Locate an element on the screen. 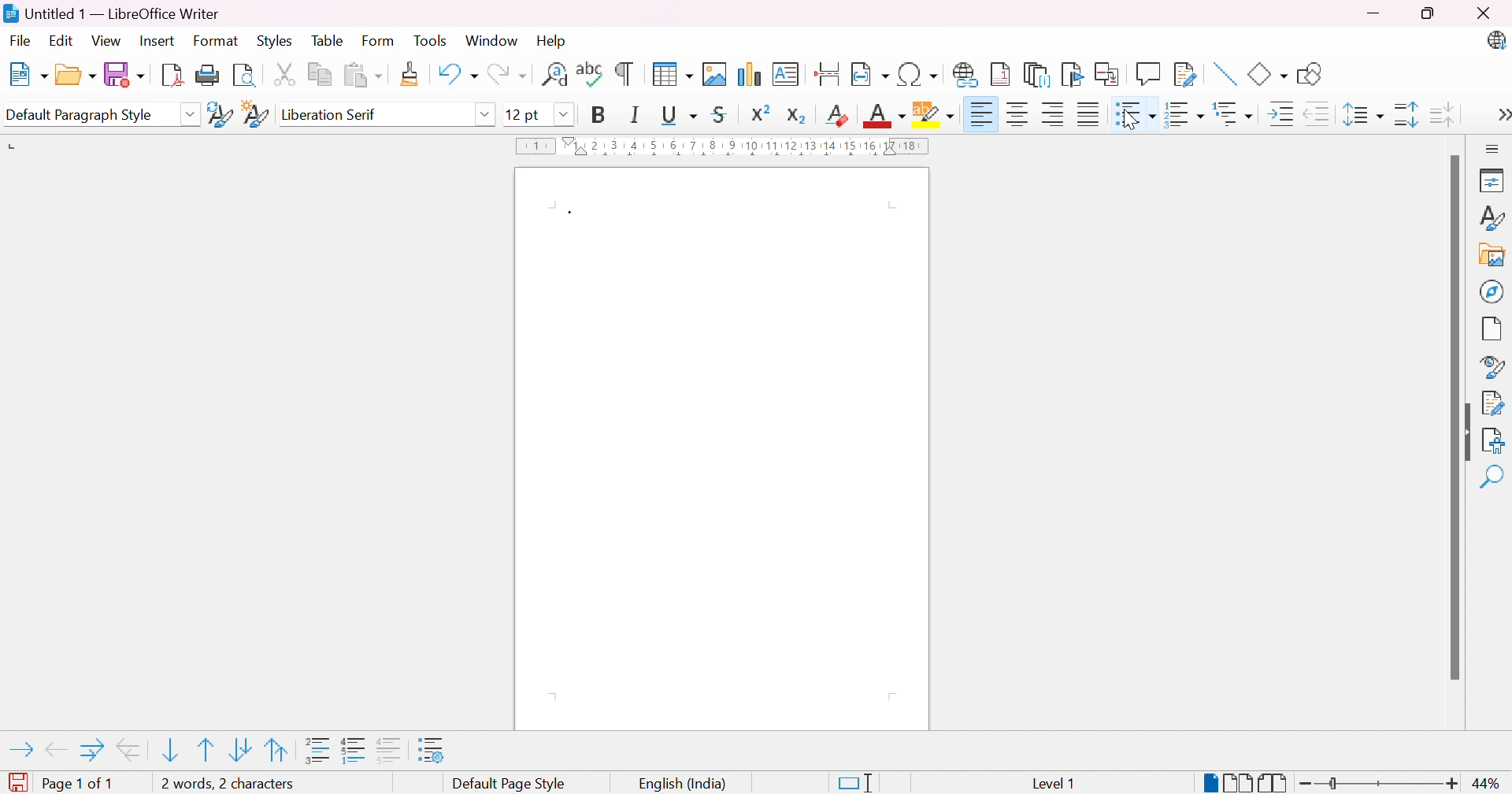 The height and width of the screenshot is (794, 1512). pointer cursor is located at coordinates (1130, 121).